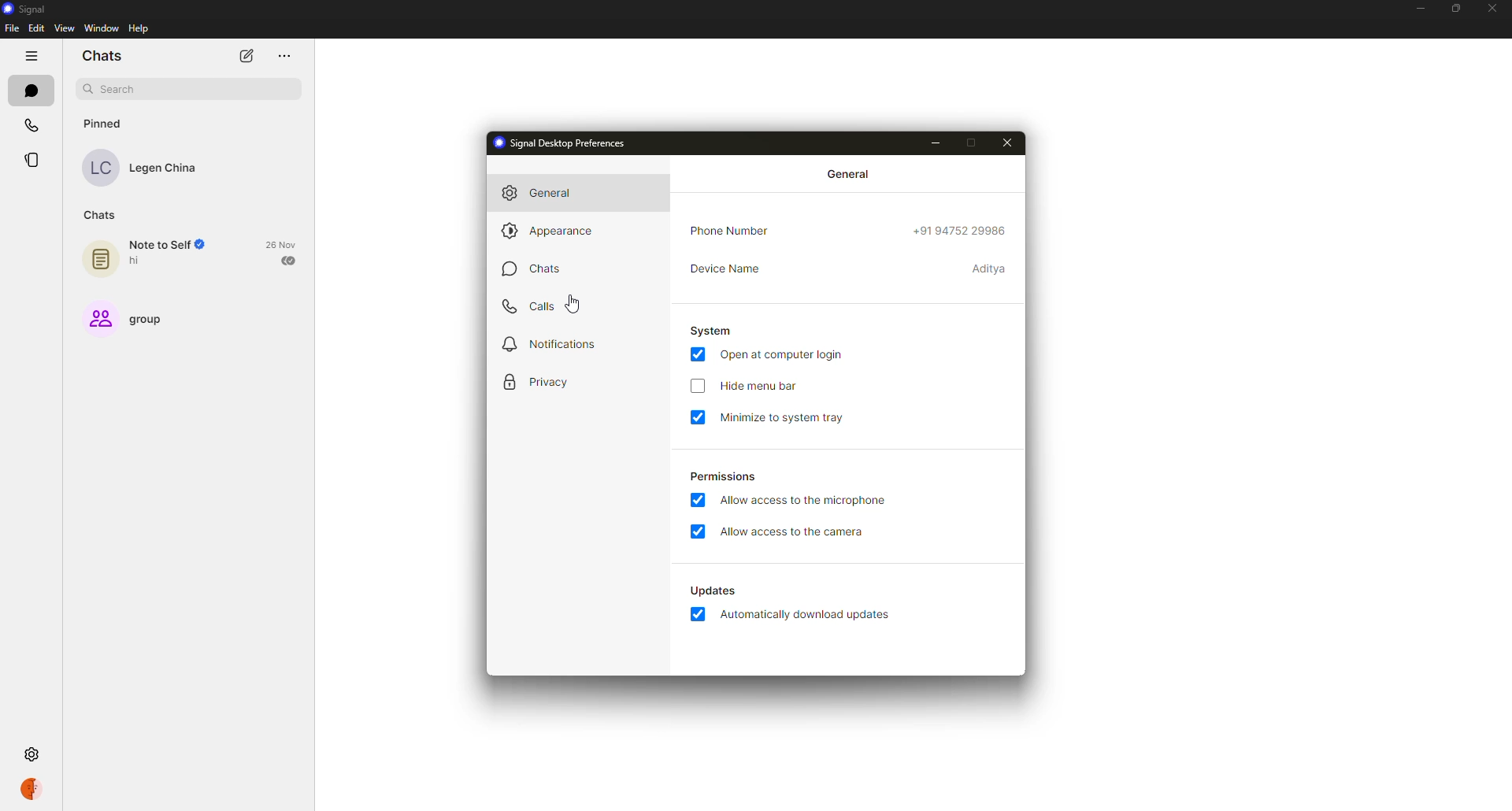 Image resolution: width=1512 pixels, height=811 pixels. Describe the element at coordinates (116, 89) in the screenshot. I see `search` at that location.